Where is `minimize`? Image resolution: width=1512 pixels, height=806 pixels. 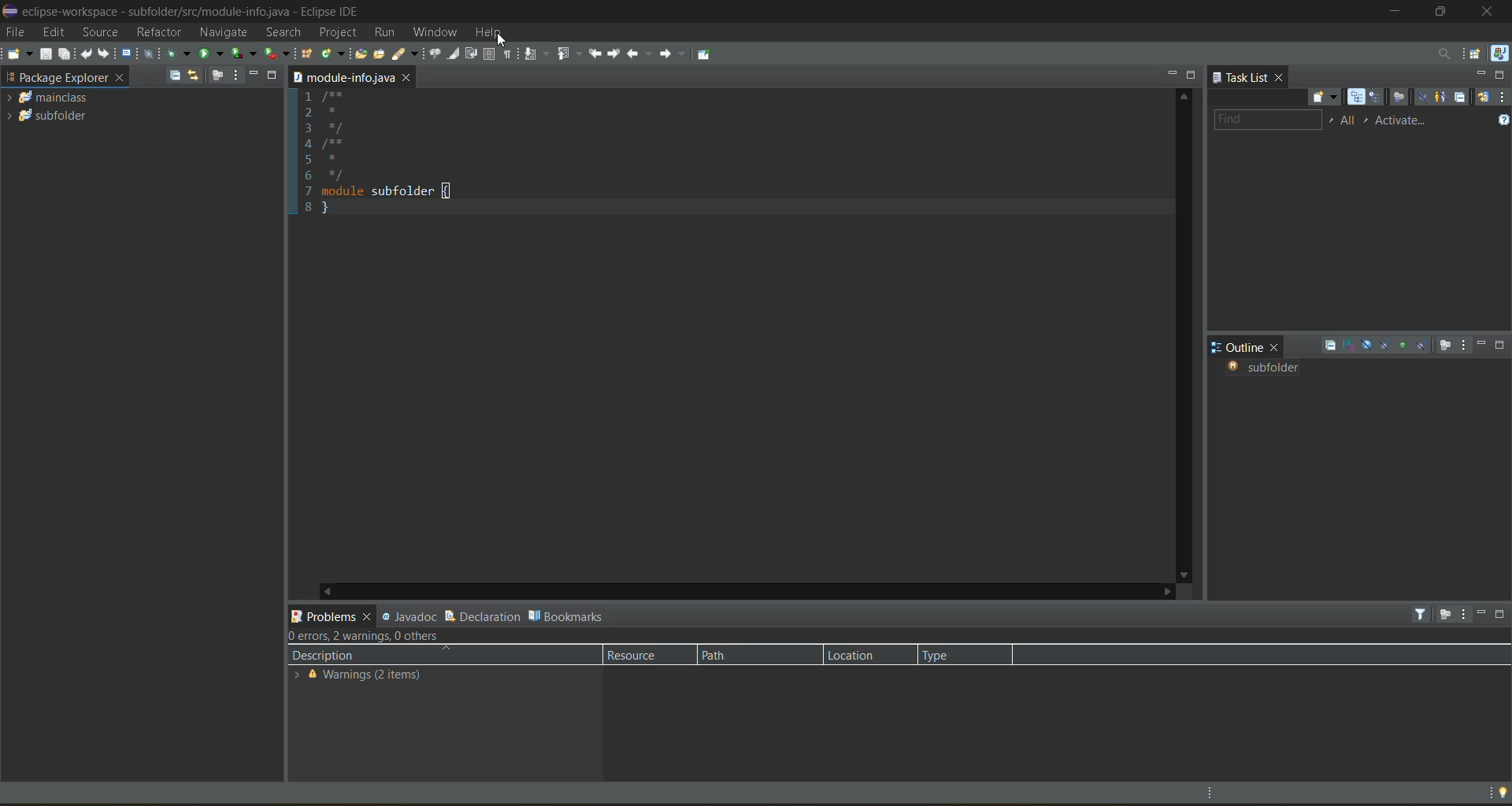 minimize is located at coordinates (1484, 346).